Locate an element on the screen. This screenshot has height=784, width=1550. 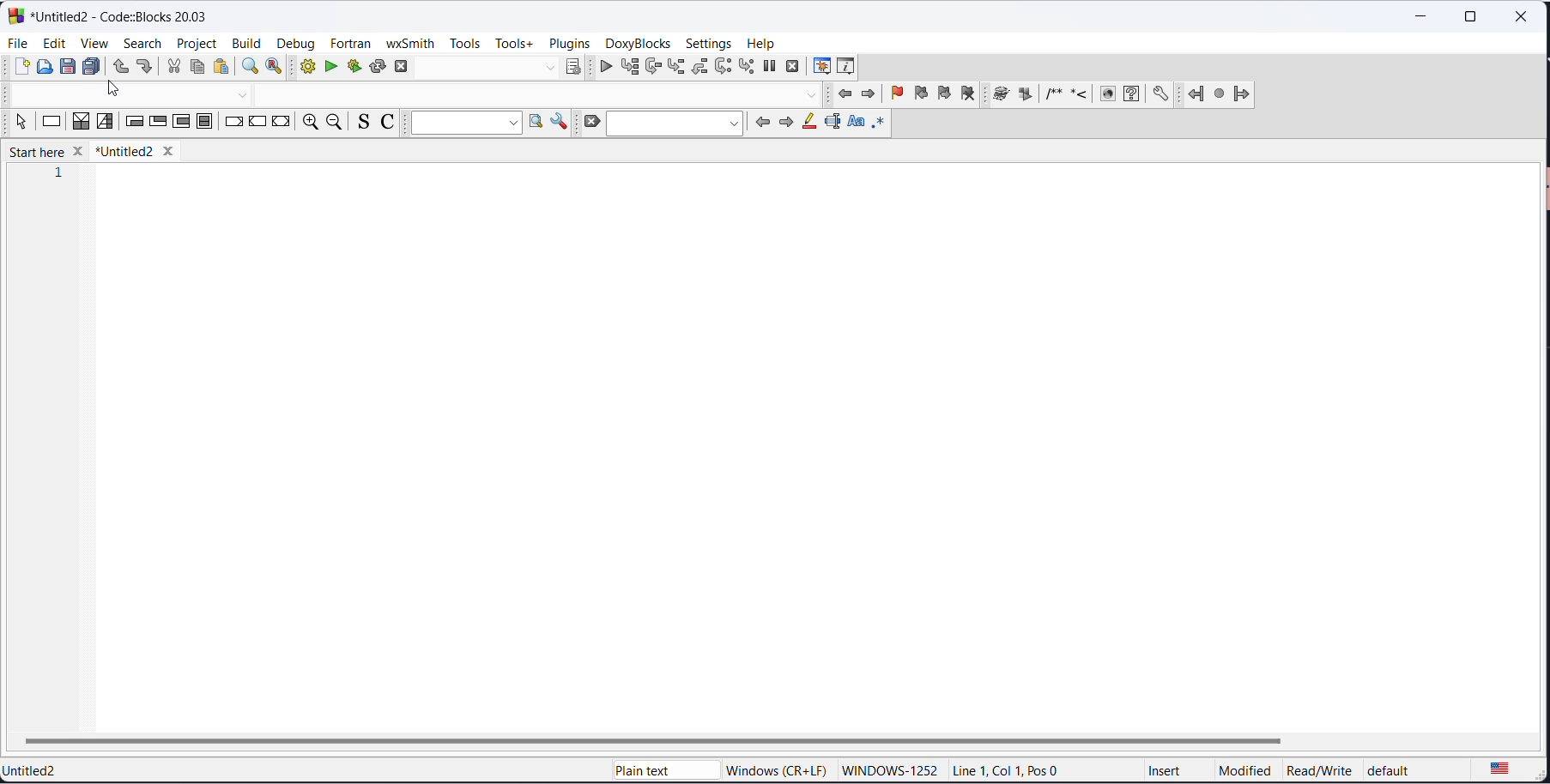
Plain text is located at coordinates (625, 767).